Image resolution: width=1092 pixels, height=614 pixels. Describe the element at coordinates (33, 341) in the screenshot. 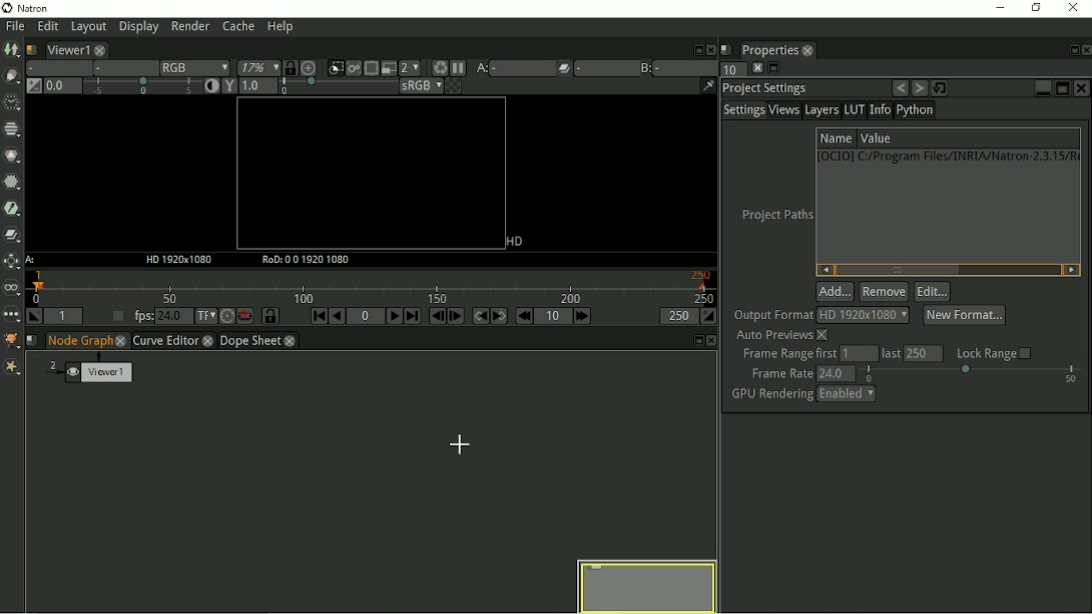

I see `Script name` at that location.